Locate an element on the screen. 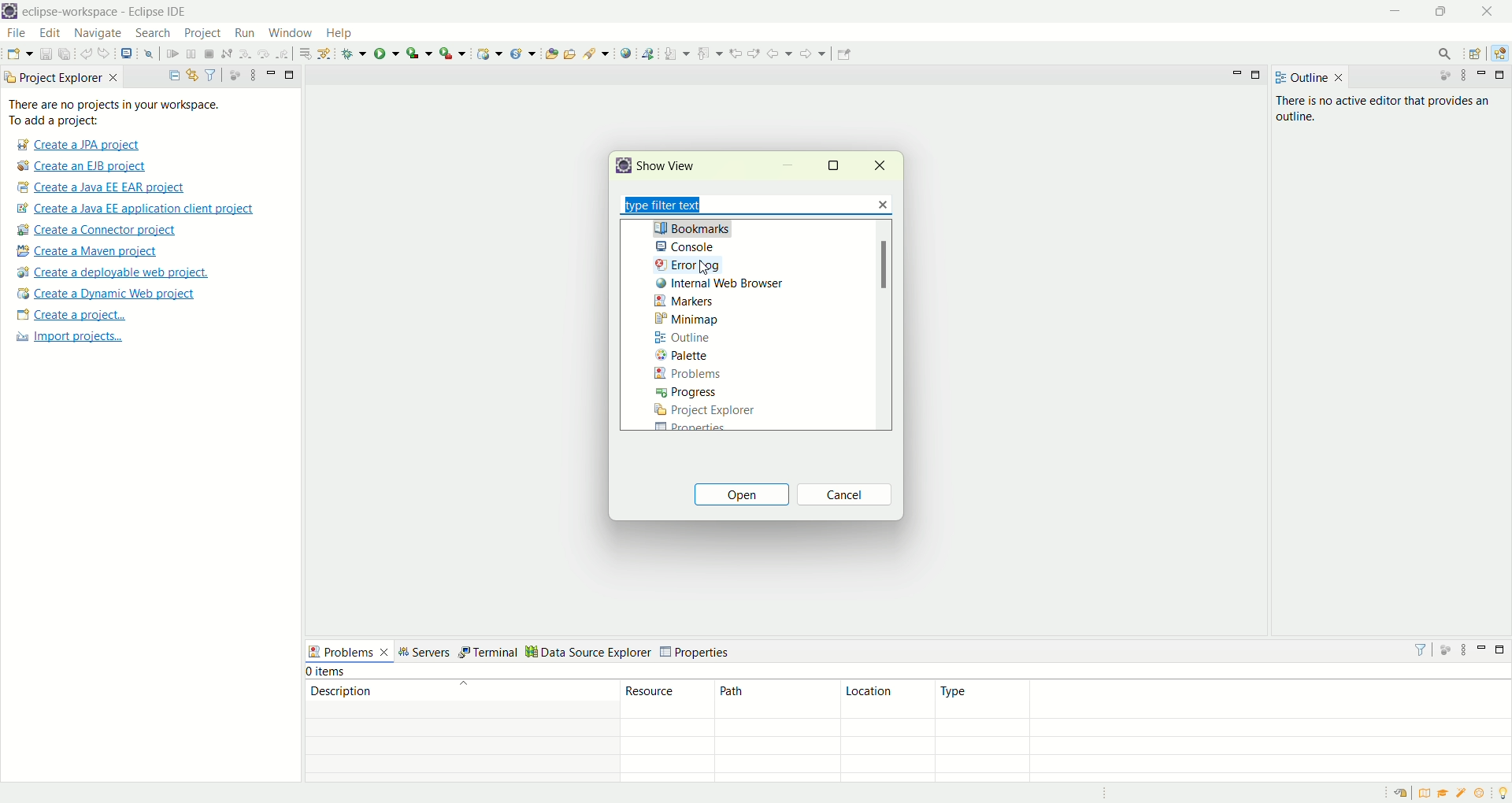  maximize is located at coordinates (1442, 12).